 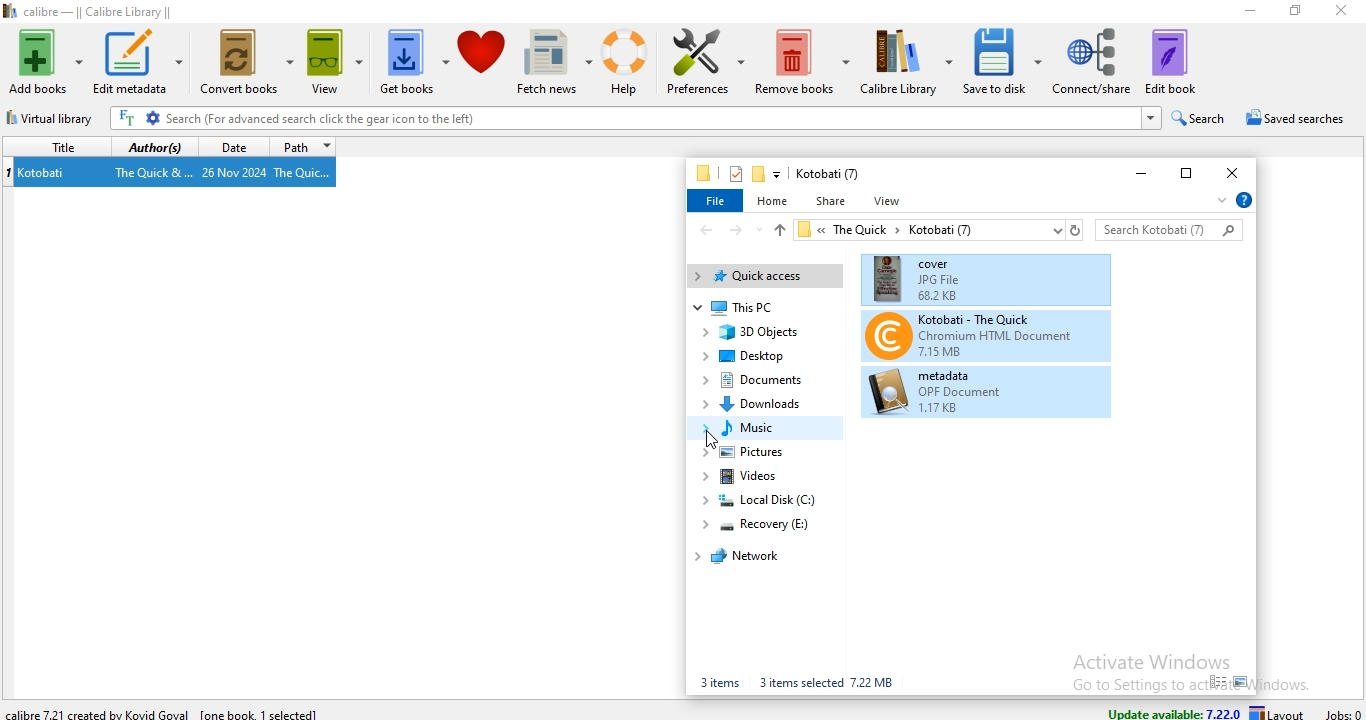 What do you see at coordinates (303, 147) in the screenshot?
I see `path` at bounding box center [303, 147].